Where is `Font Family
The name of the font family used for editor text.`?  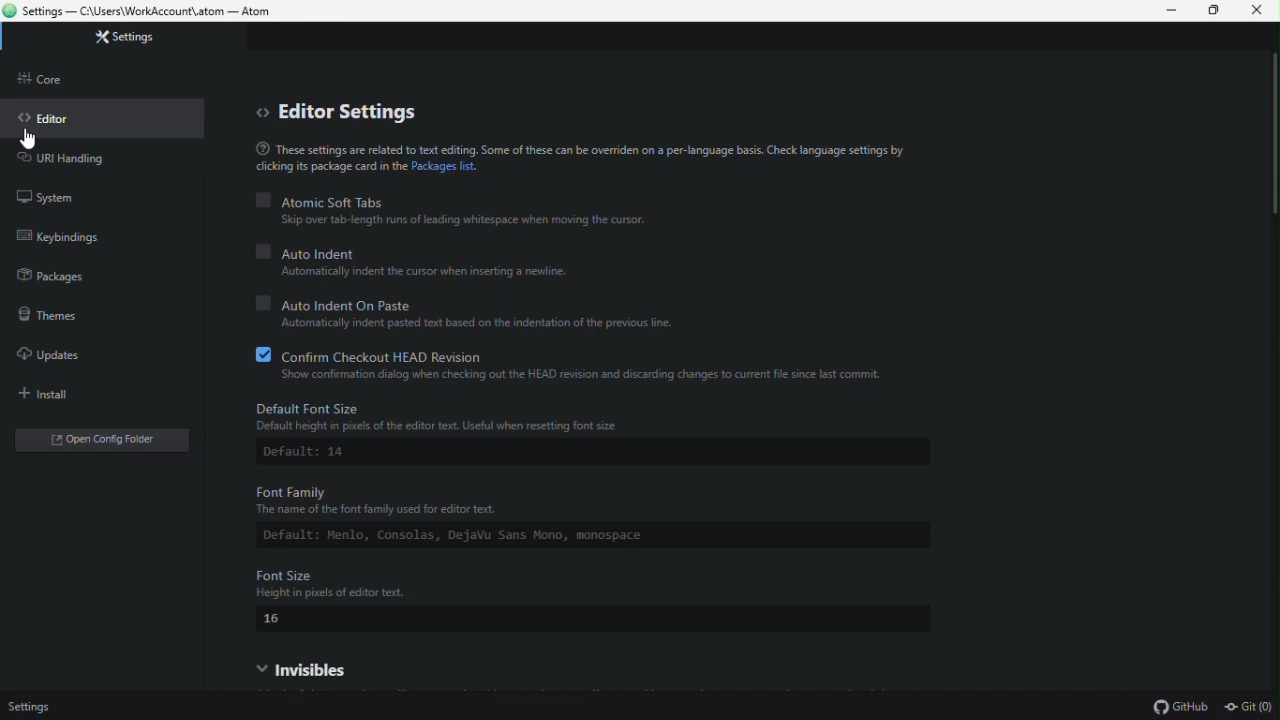
Font Family
The name of the font family used for editor text. is located at coordinates (545, 501).